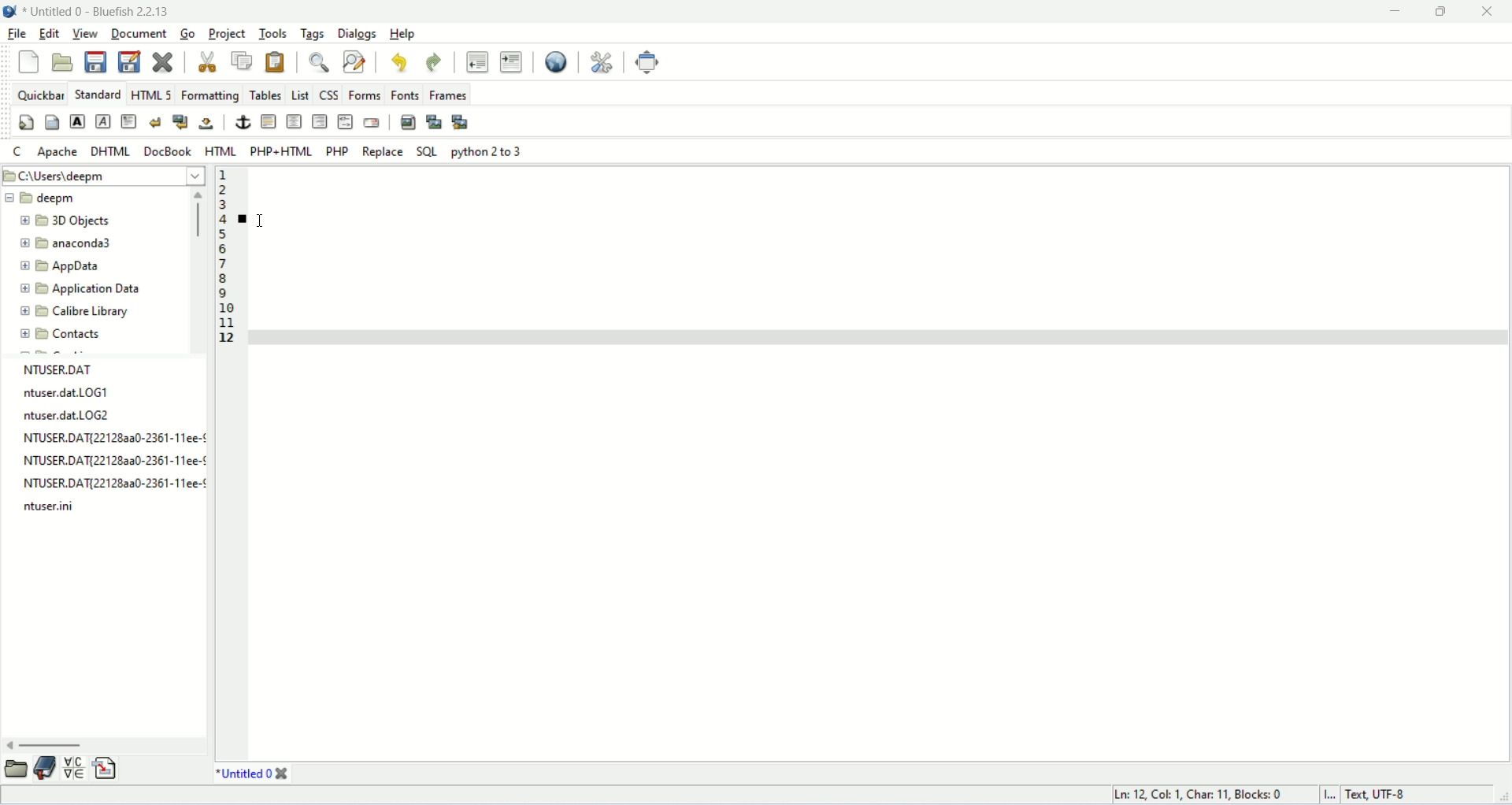 Image resolution: width=1512 pixels, height=805 pixels. I want to click on fullscreen, so click(650, 63).